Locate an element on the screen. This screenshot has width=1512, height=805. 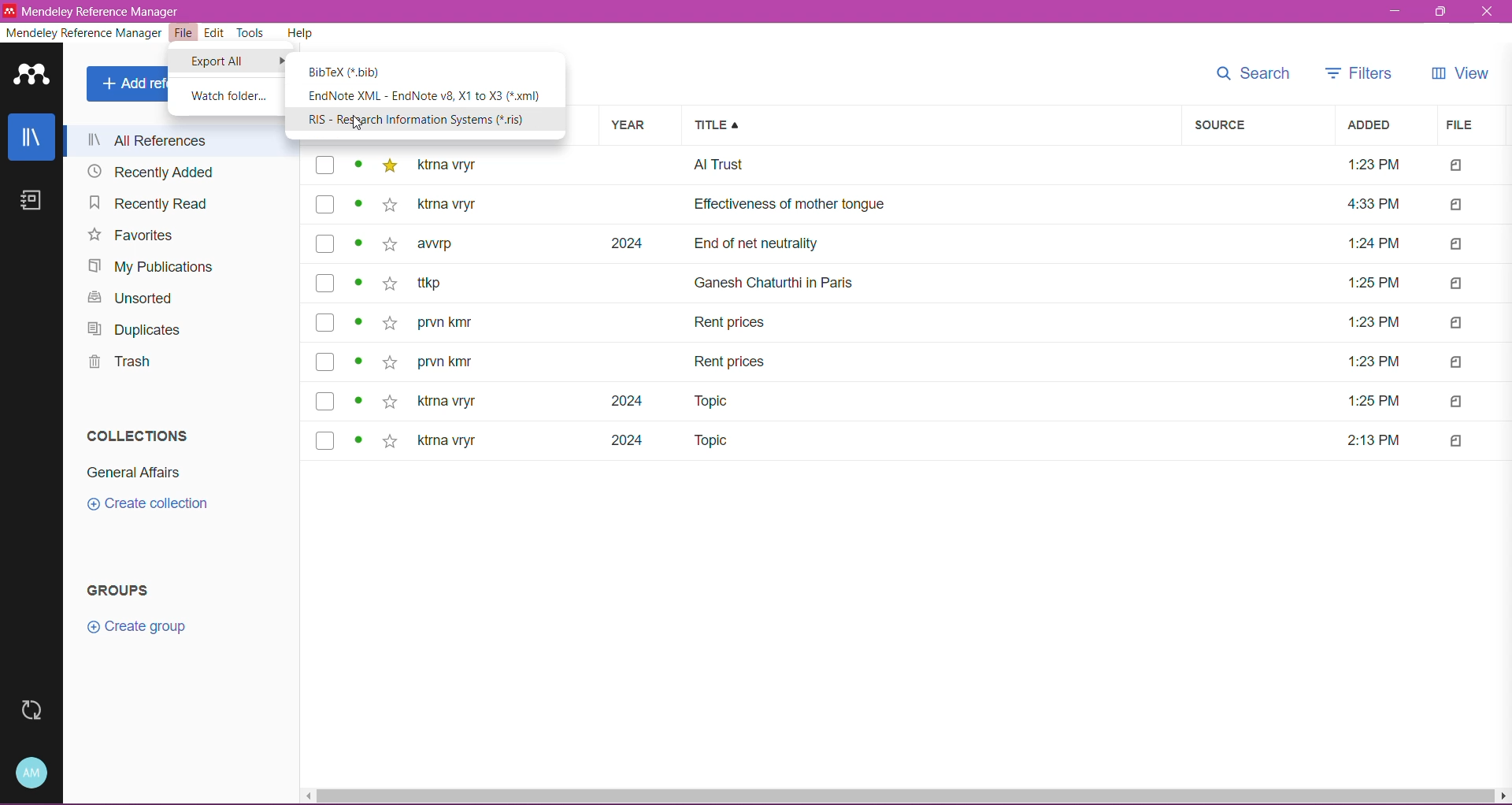
Click to Add to Favorites is located at coordinates (391, 303).